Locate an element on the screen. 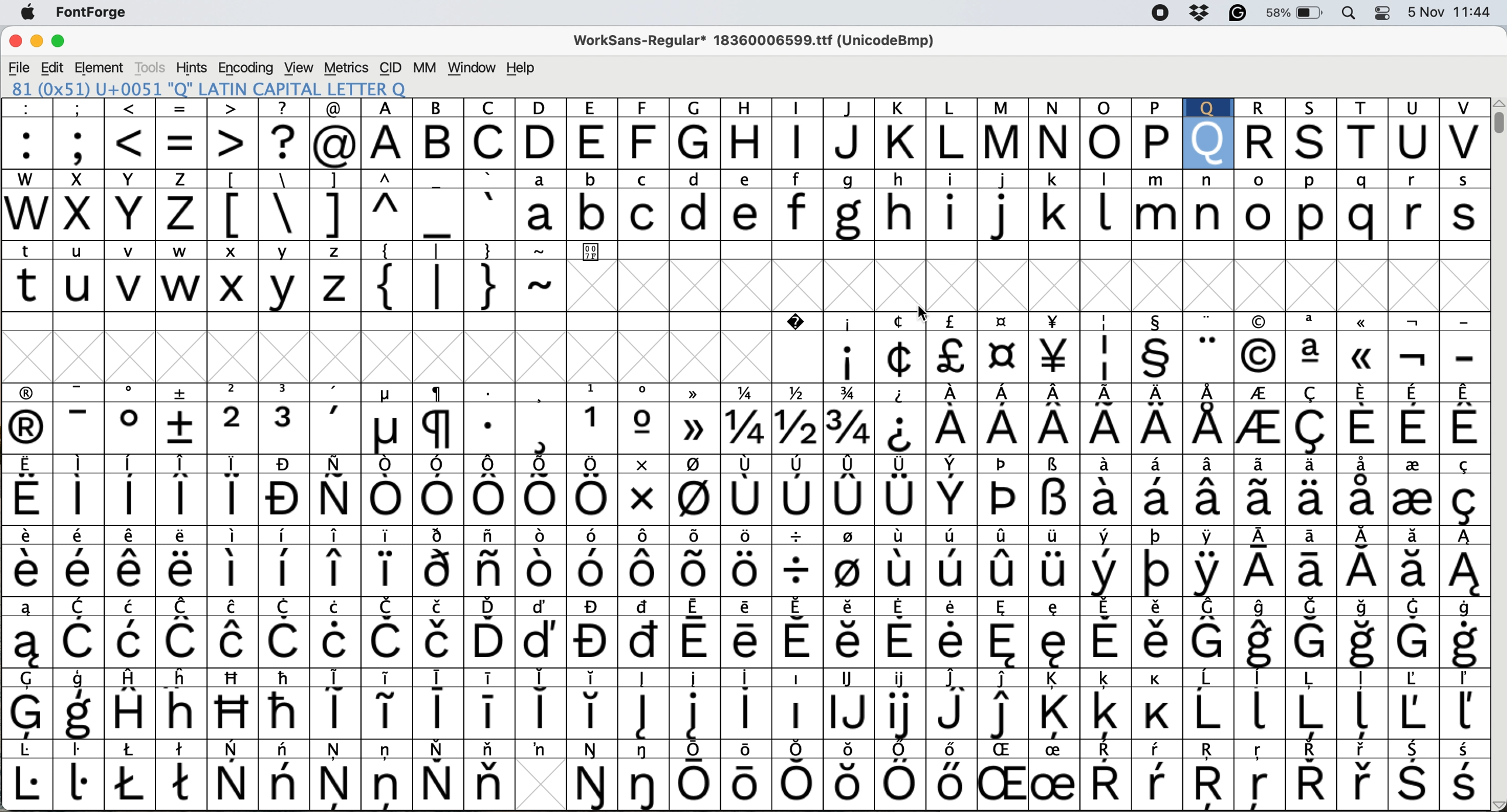 Image resolution: width=1507 pixels, height=812 pixels. special characters is located at coordinates (744, 497).